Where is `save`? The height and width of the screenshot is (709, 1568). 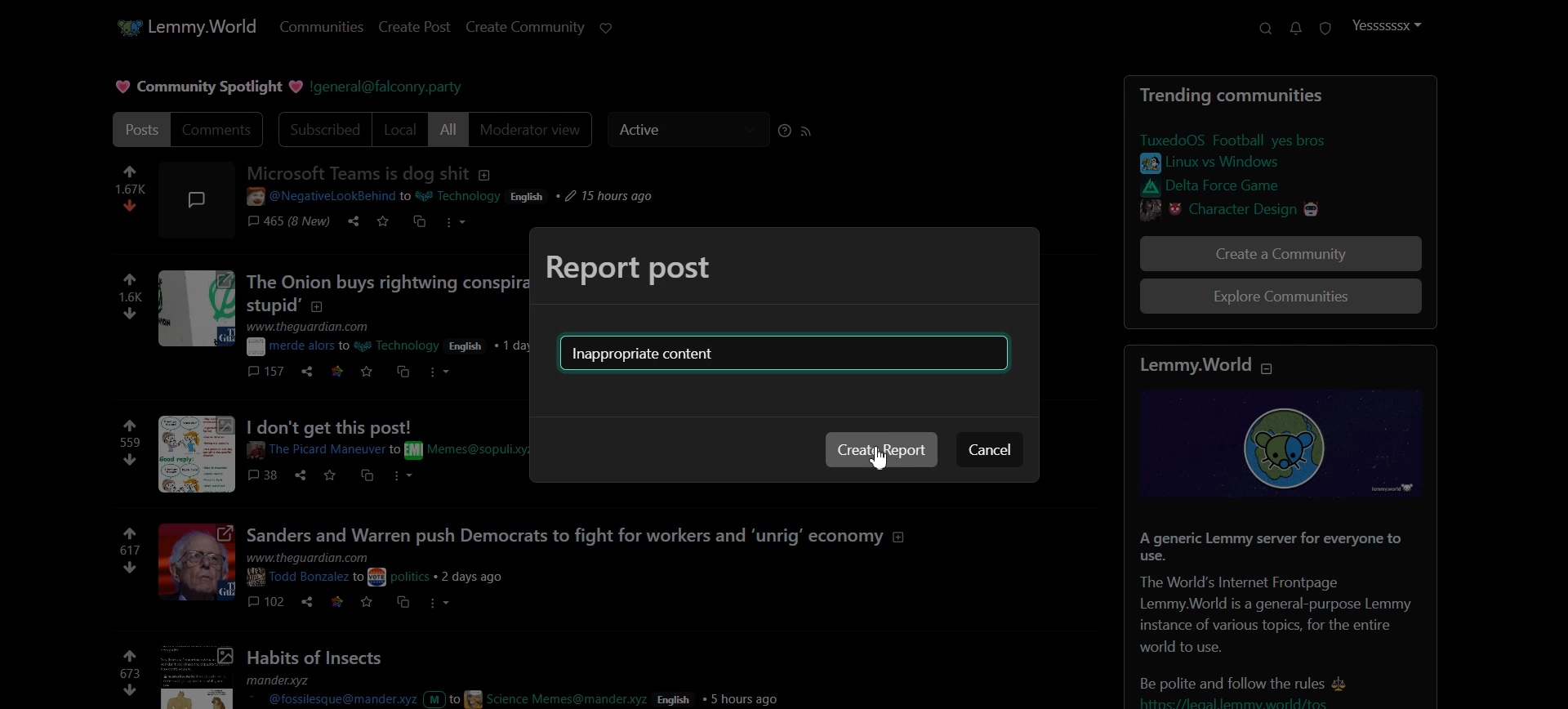 save is located at coordinates (369, 602).